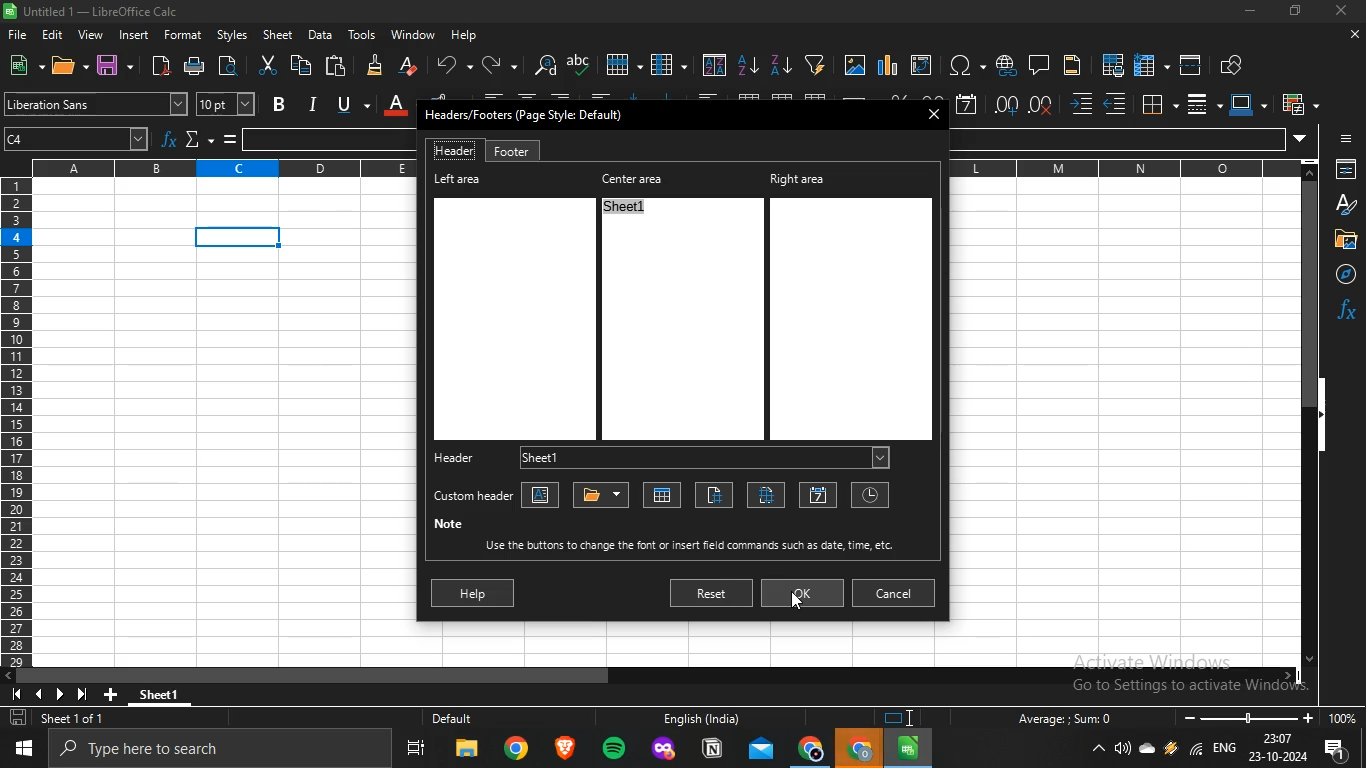  What do you see at coordinates (232, 65) in the screenshot?
I see `toggle print preview` at bounding box center [232, 65].